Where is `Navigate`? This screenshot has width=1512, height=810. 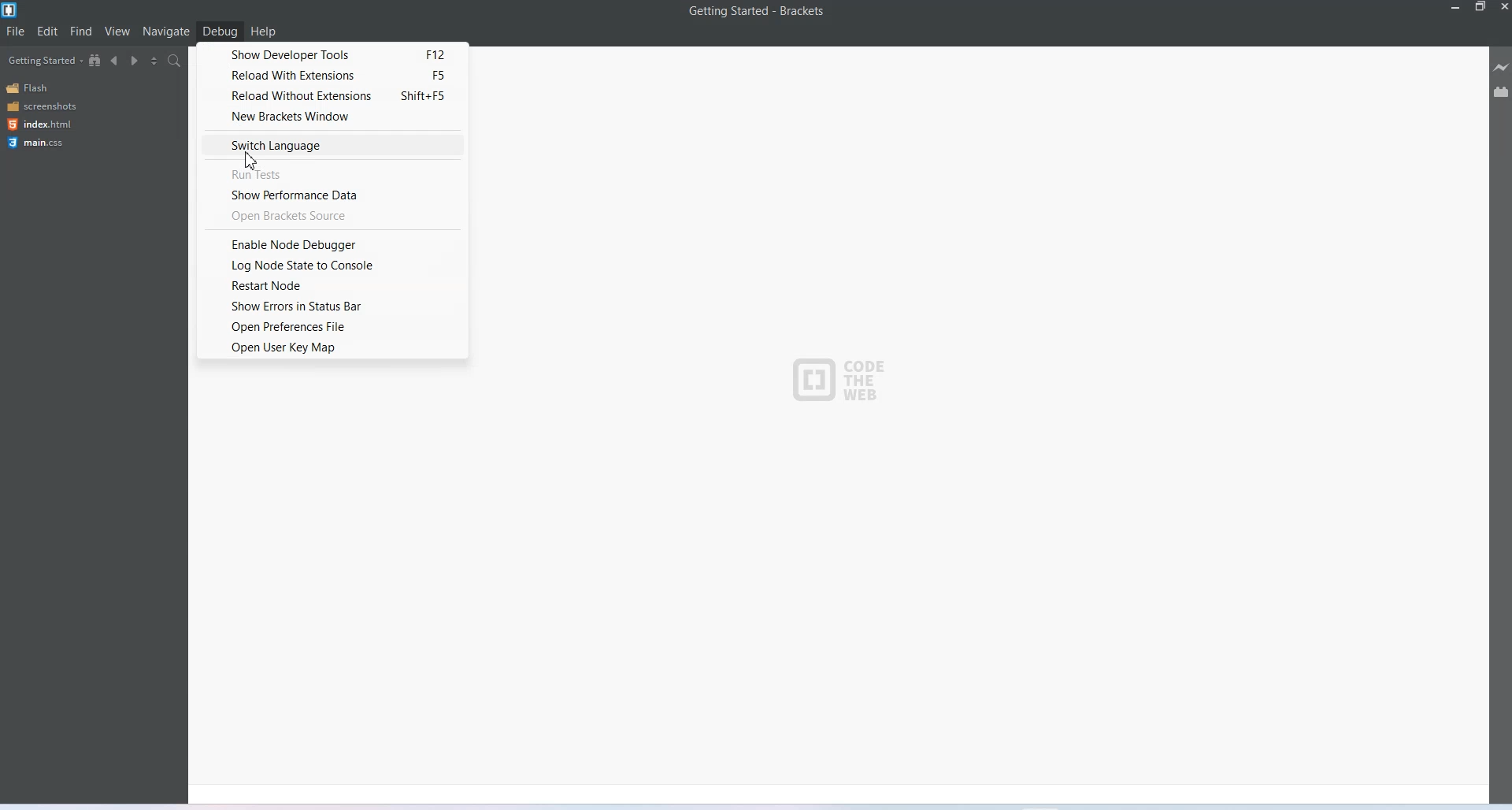
Navigate is located at coordinates (166, 32).